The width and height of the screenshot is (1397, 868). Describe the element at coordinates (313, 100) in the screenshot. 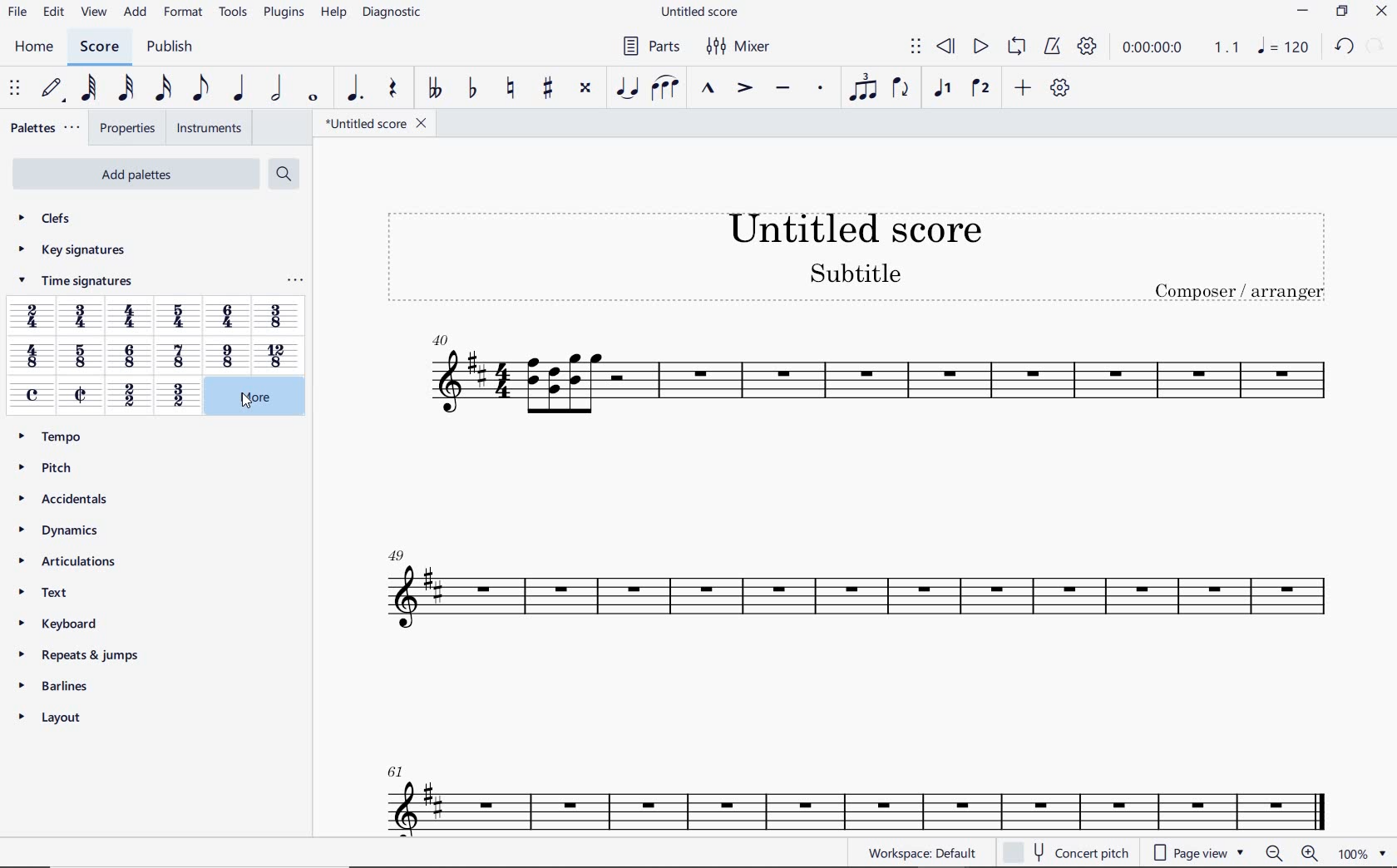

I see `WHOLE NOTE` at that location.